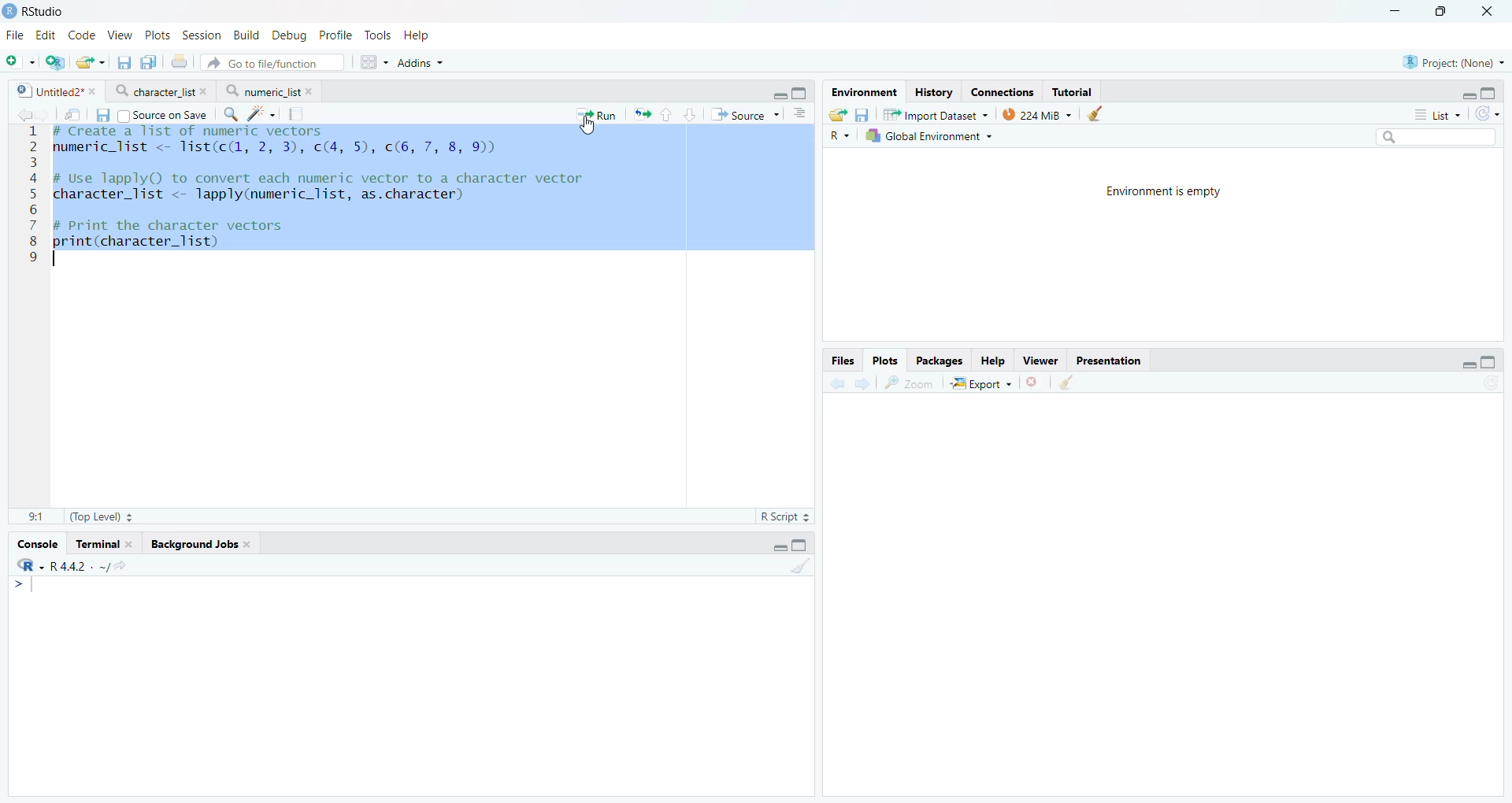 The image size is (1512, 803). What do you see at coordinates (1436, 136) in the screenshot?
I see `Search` at bounding box center [1436, 136].